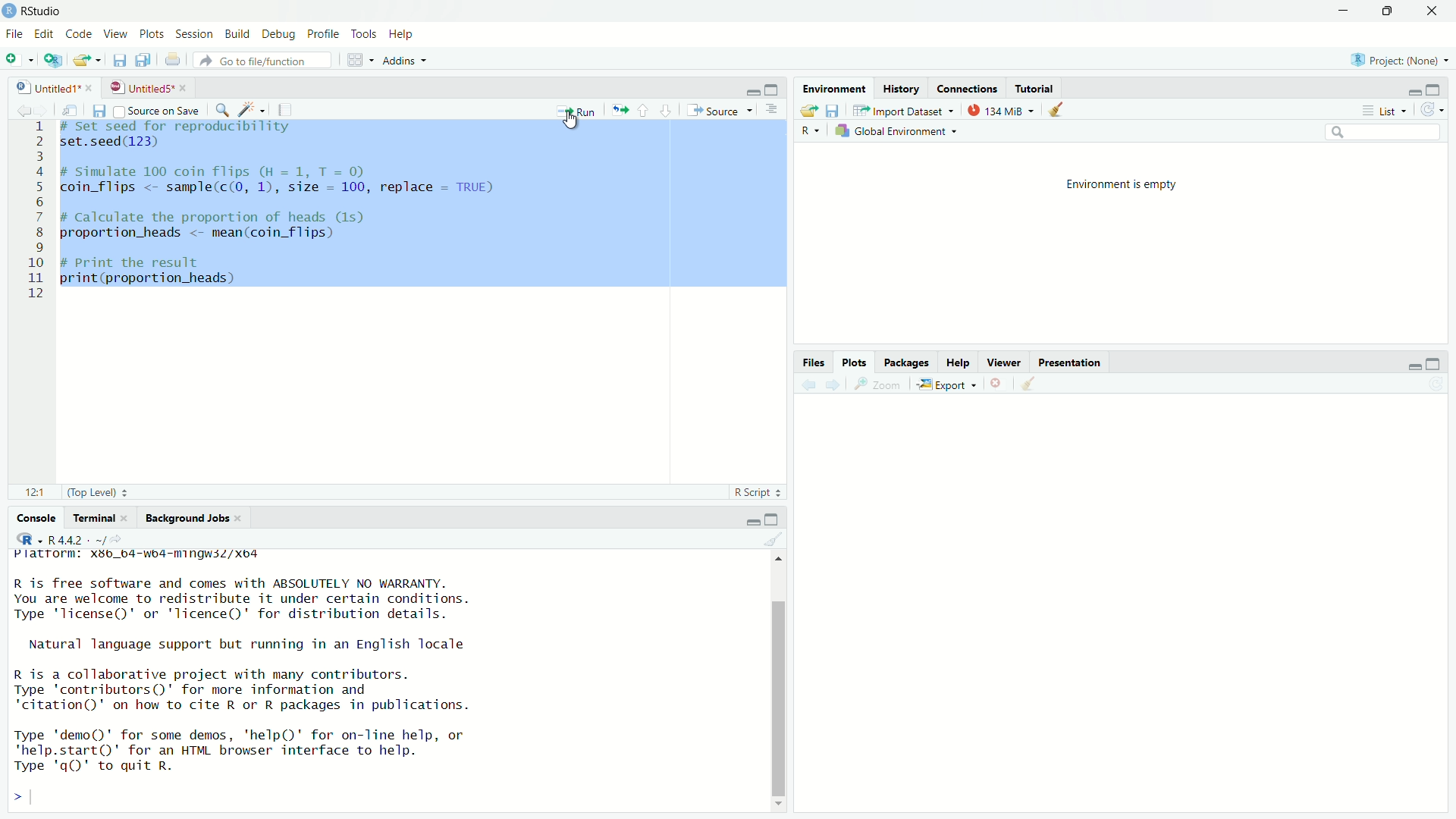  I want to click on plots, so click(150, 34).